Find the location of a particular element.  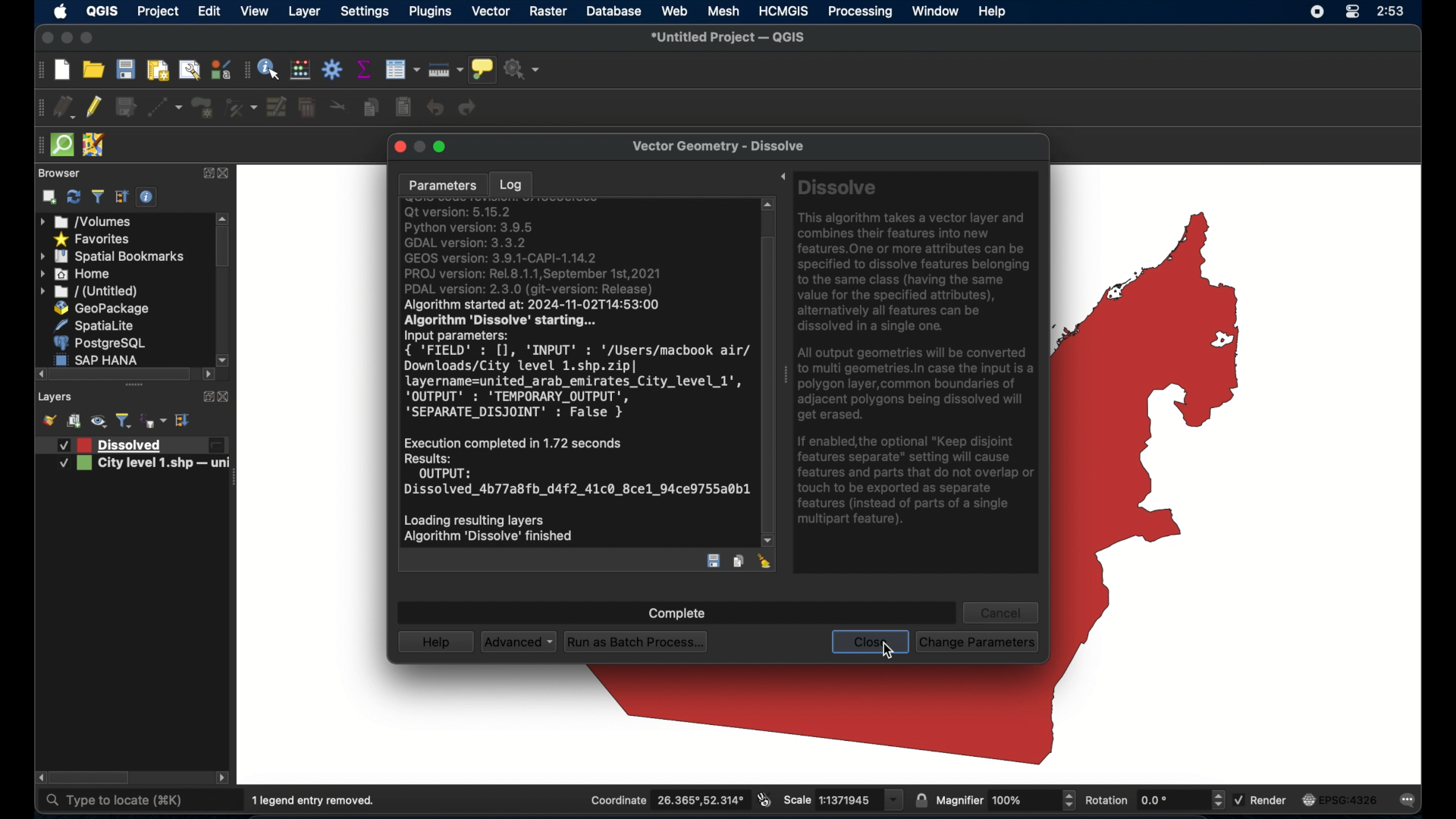

show map tips is located at coordinates (485, 71).